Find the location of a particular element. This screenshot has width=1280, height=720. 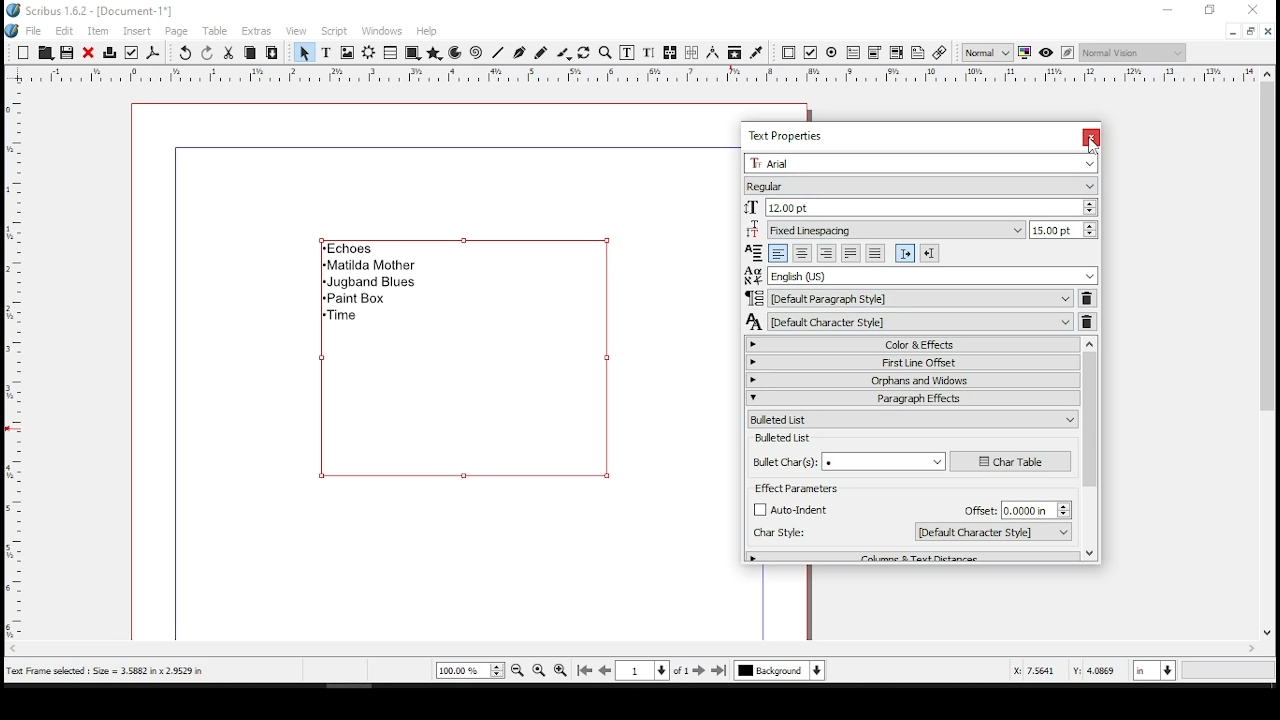

logo is located at coordinates (12, 32).